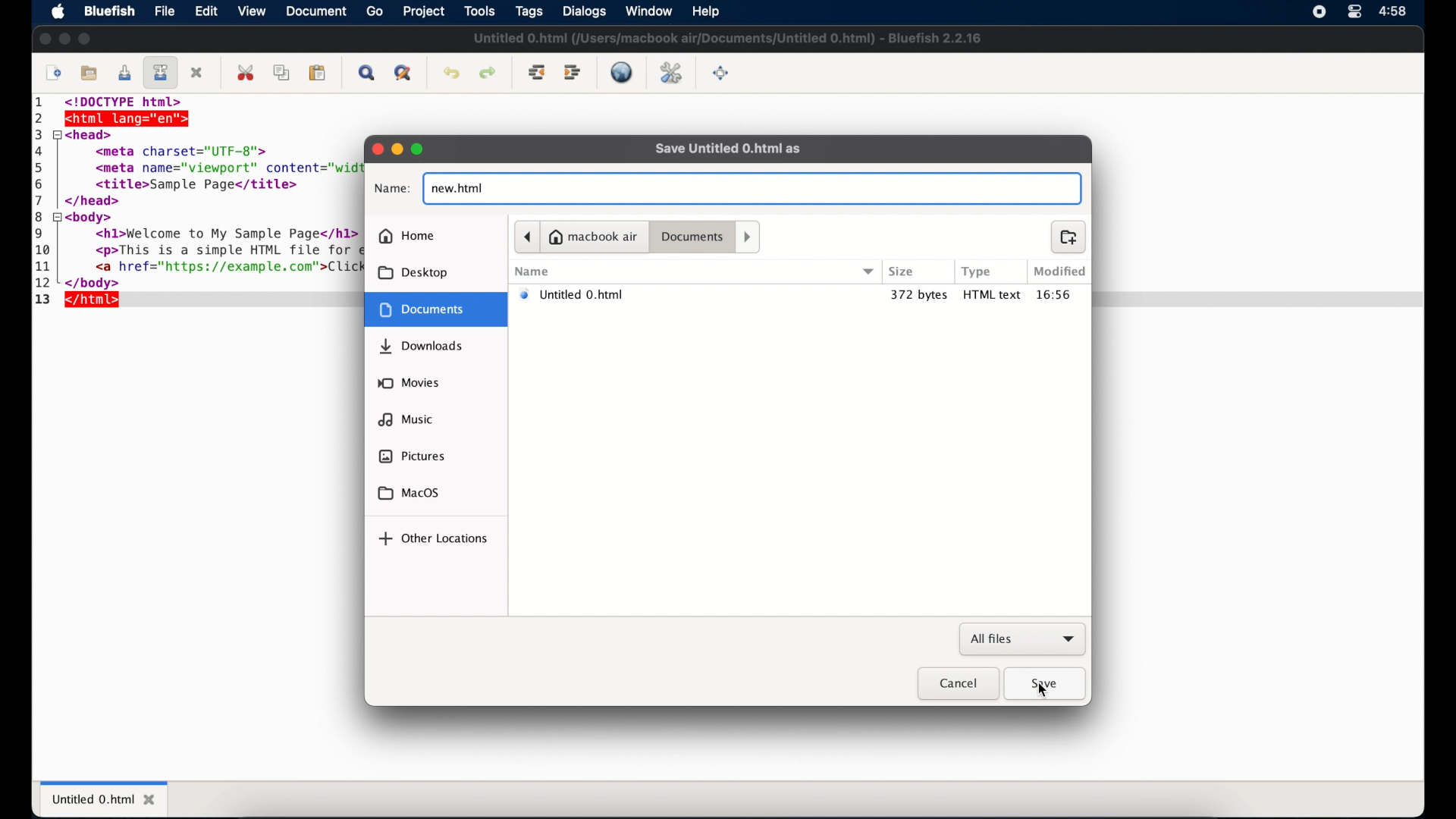  I want to click on pictures, so click(410, 456).